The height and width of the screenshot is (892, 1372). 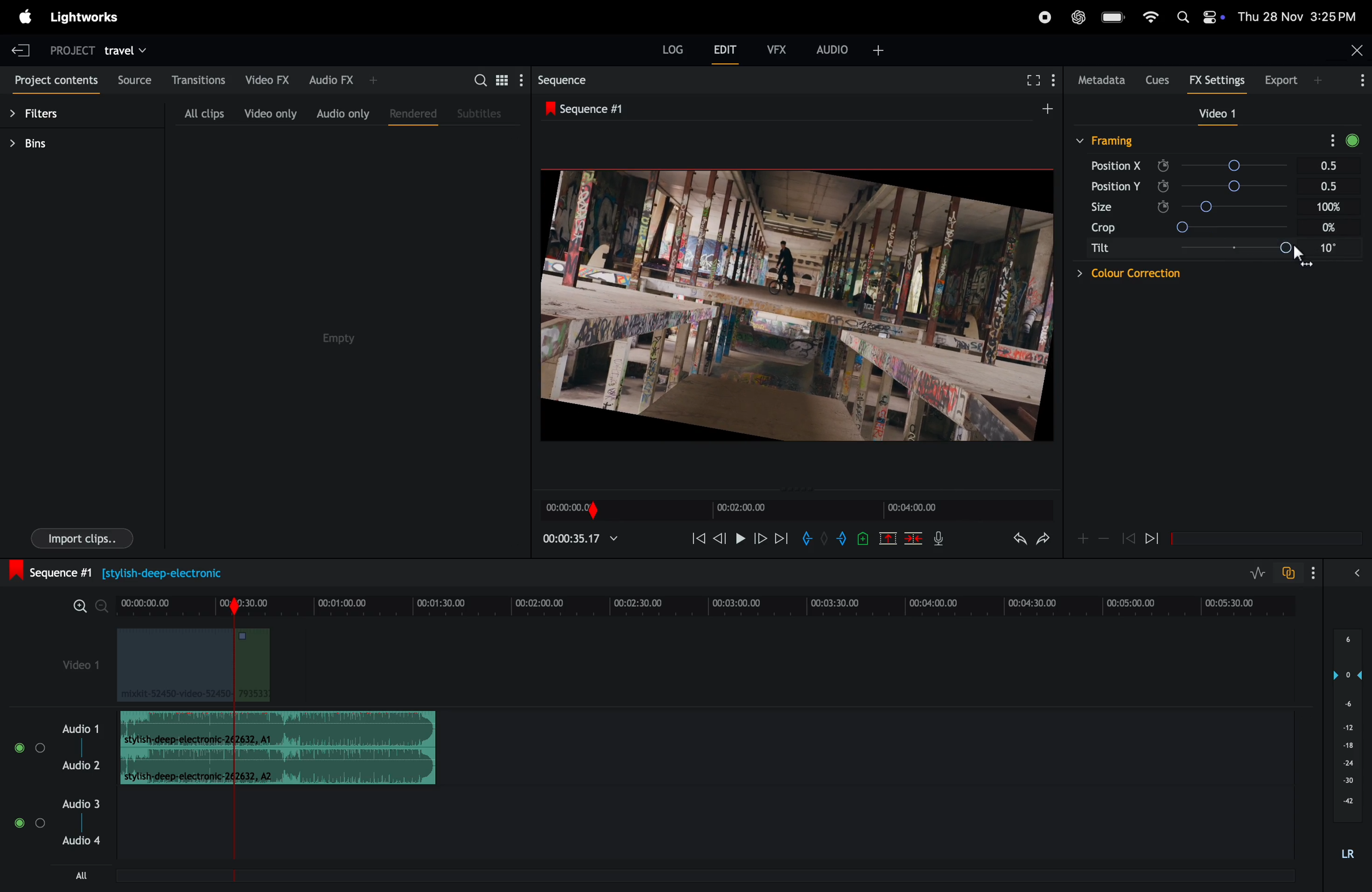 What do you see at coordinates (1120, 188) in the screenshot?
I see `position y` at bounding box center [1120, 188].